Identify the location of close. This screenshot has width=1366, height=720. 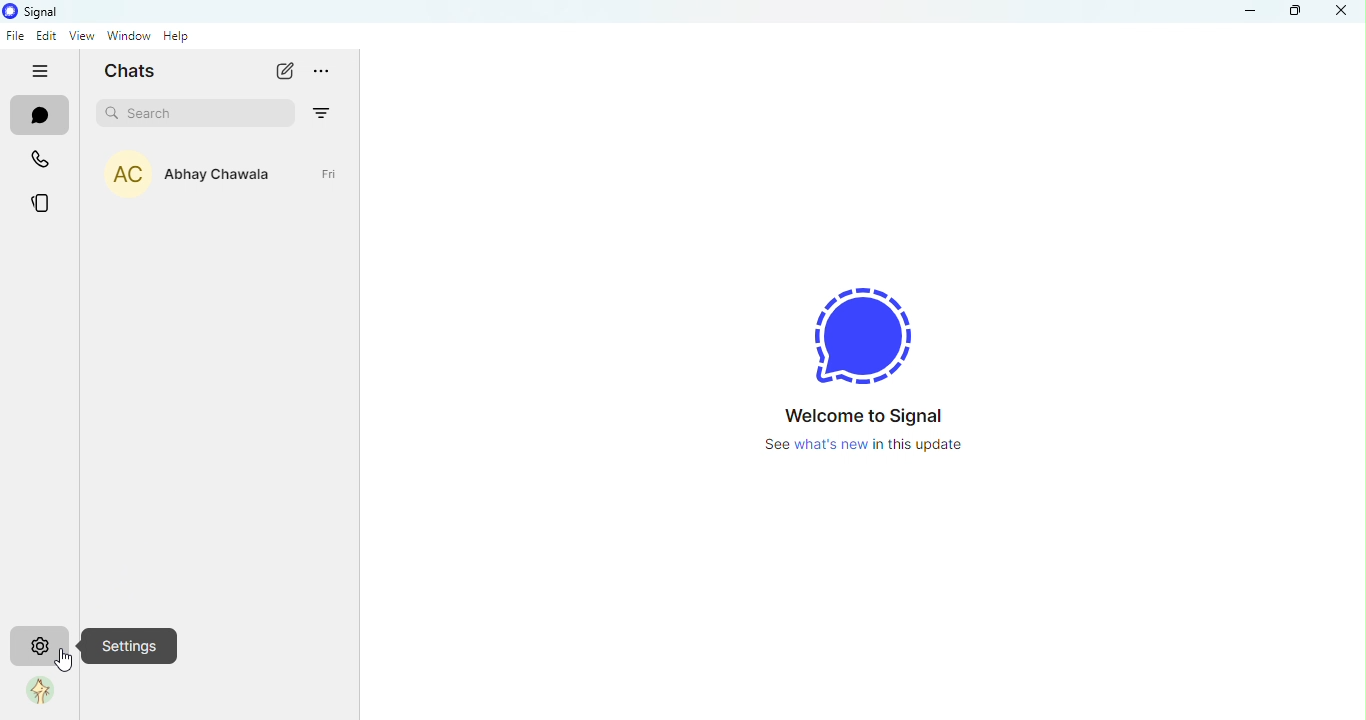
(1345, 14).